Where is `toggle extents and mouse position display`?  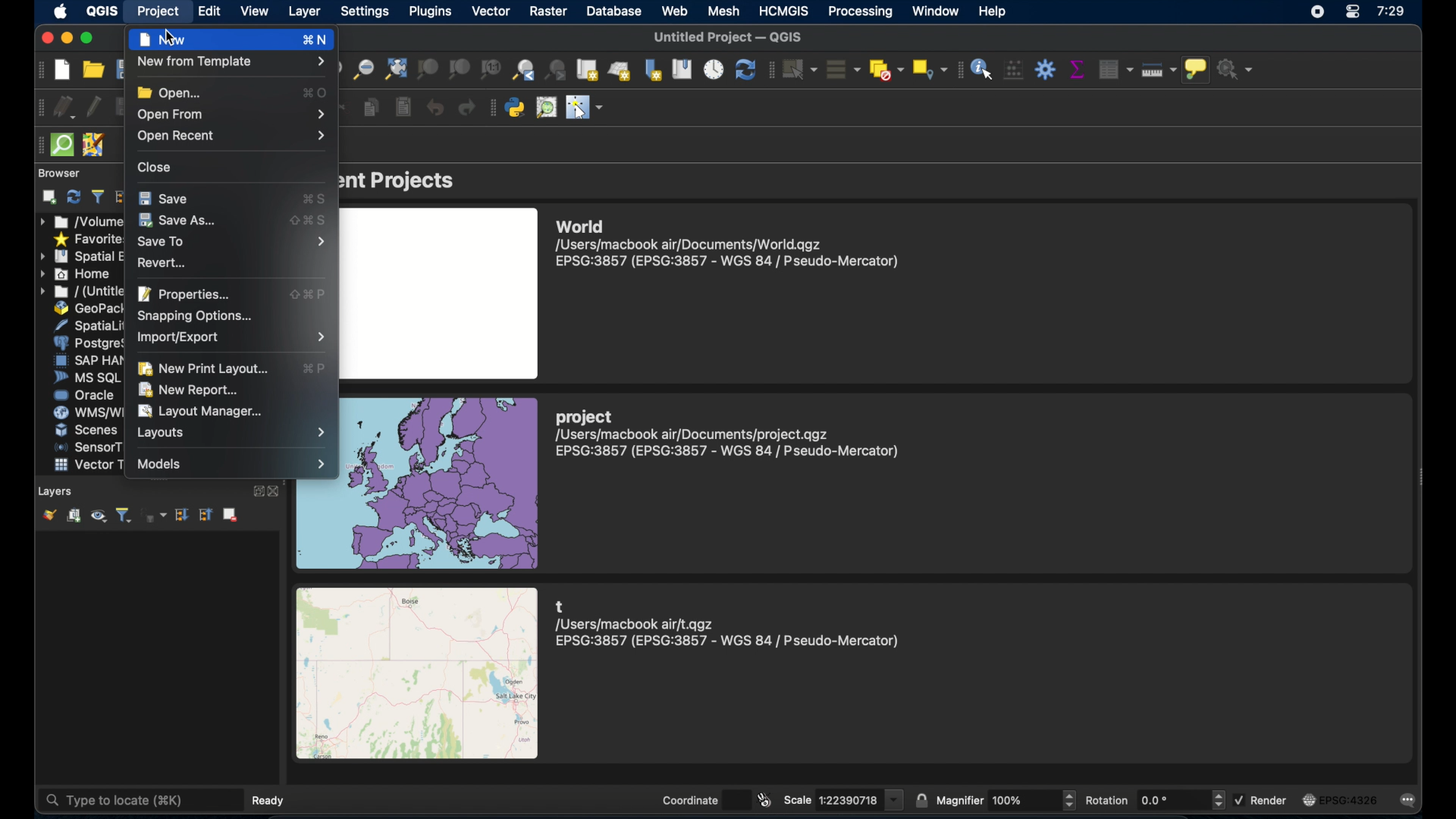 toggle extents and mouse position display is located at coordinates (766, 799).